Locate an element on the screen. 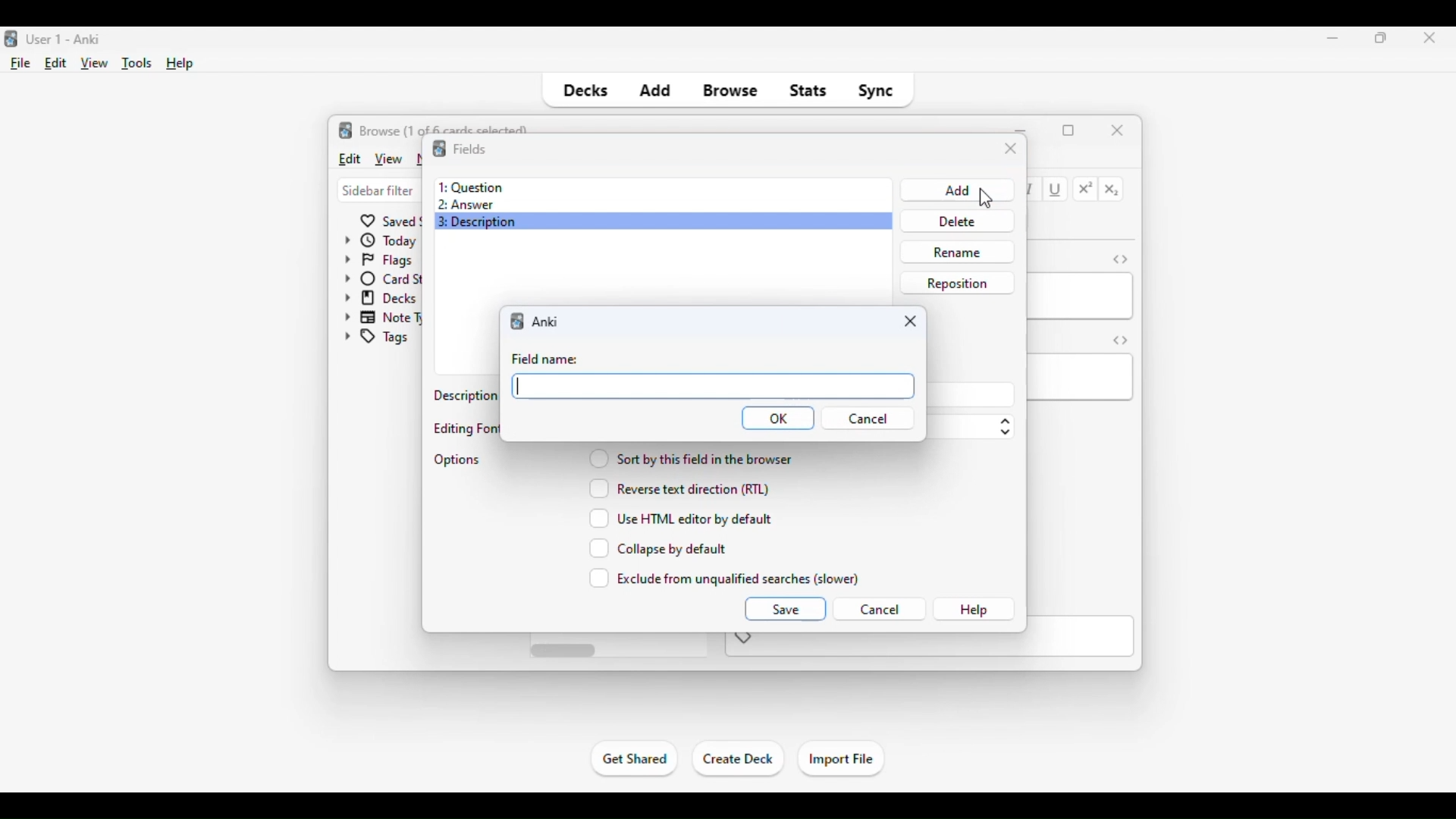 The image size is (1456, 819). reverse text direction (RTL) is located at coordinates (679, 488).